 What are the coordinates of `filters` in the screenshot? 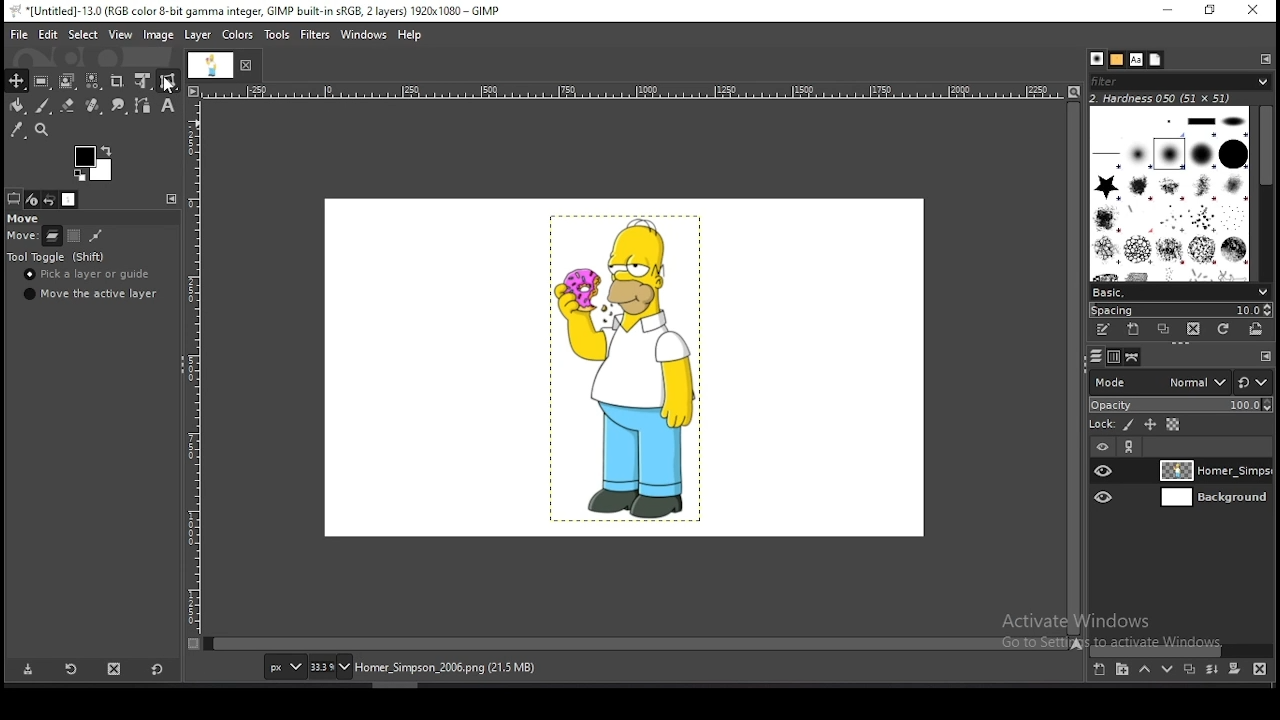 It's located at (316, 35).